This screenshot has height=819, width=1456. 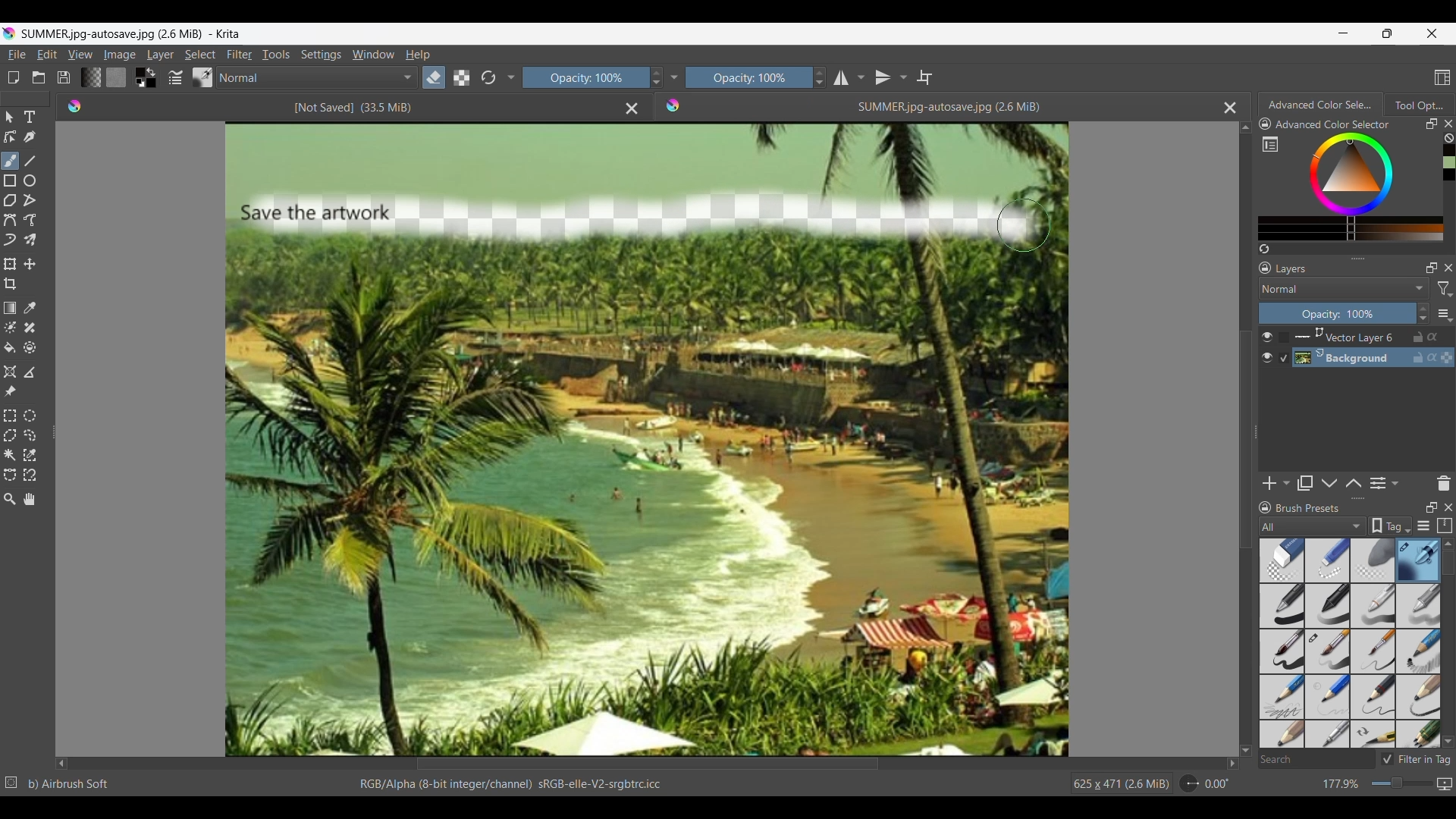 What do you see at coordinates (1189, 783) in the screenshot?
I see `Dial to change rotation` at bounding box center [1189, 783].